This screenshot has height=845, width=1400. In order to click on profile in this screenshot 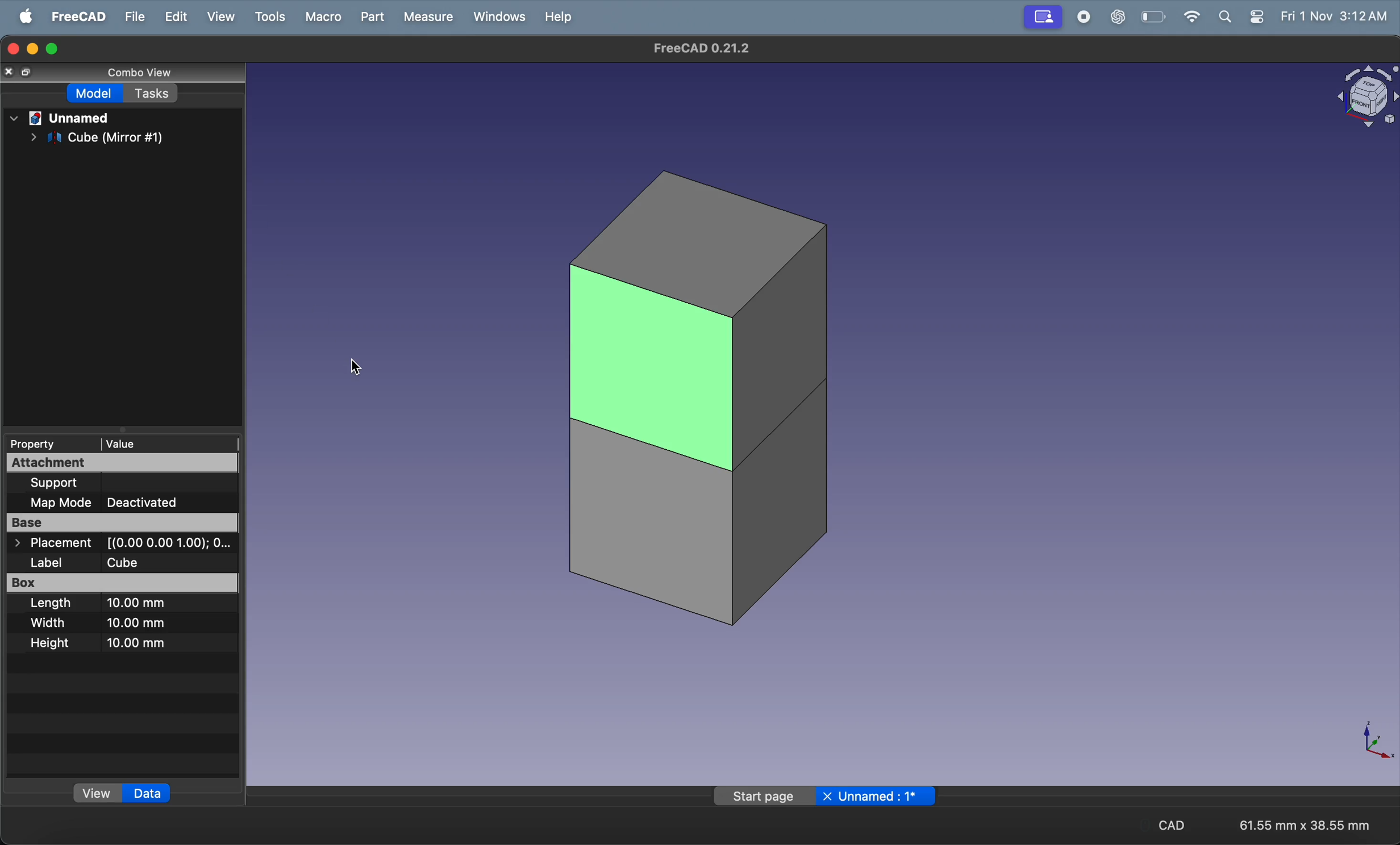, I will do `click(1041, 17)`.